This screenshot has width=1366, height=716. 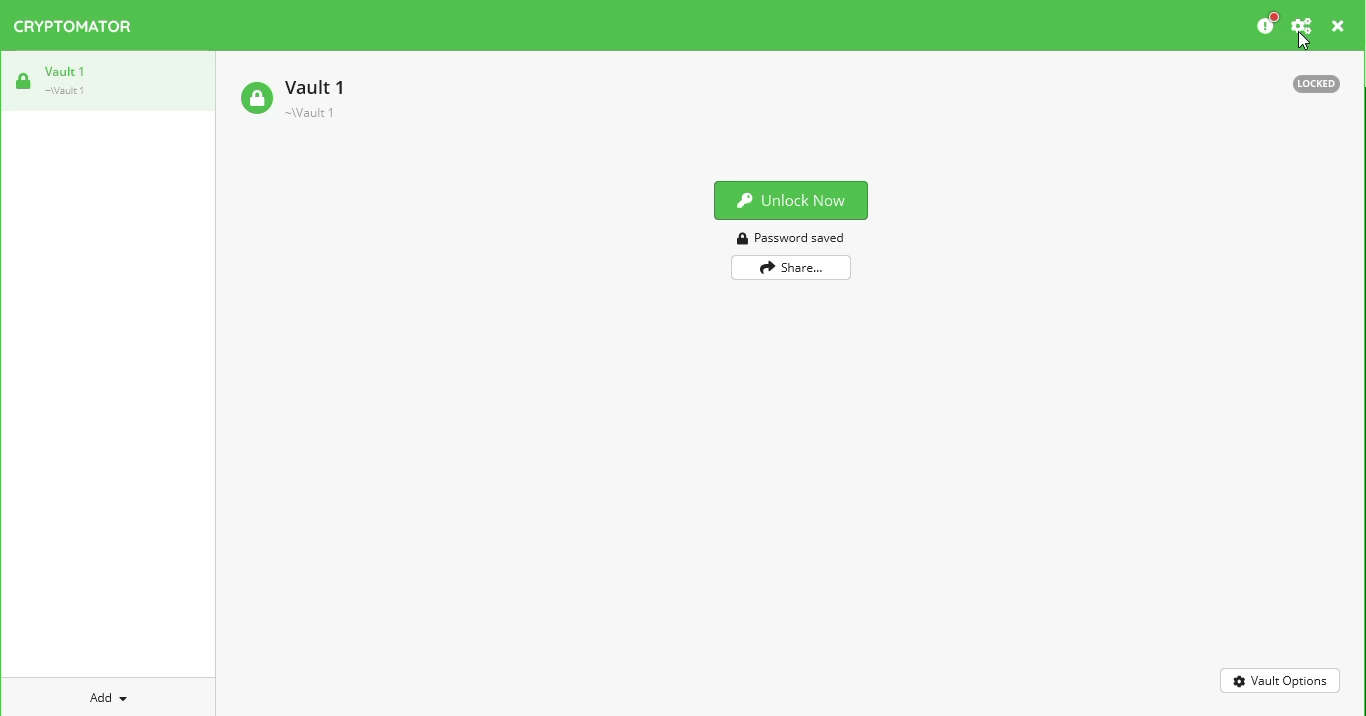 I want to click on unlock now, so click(x=791, y=202).